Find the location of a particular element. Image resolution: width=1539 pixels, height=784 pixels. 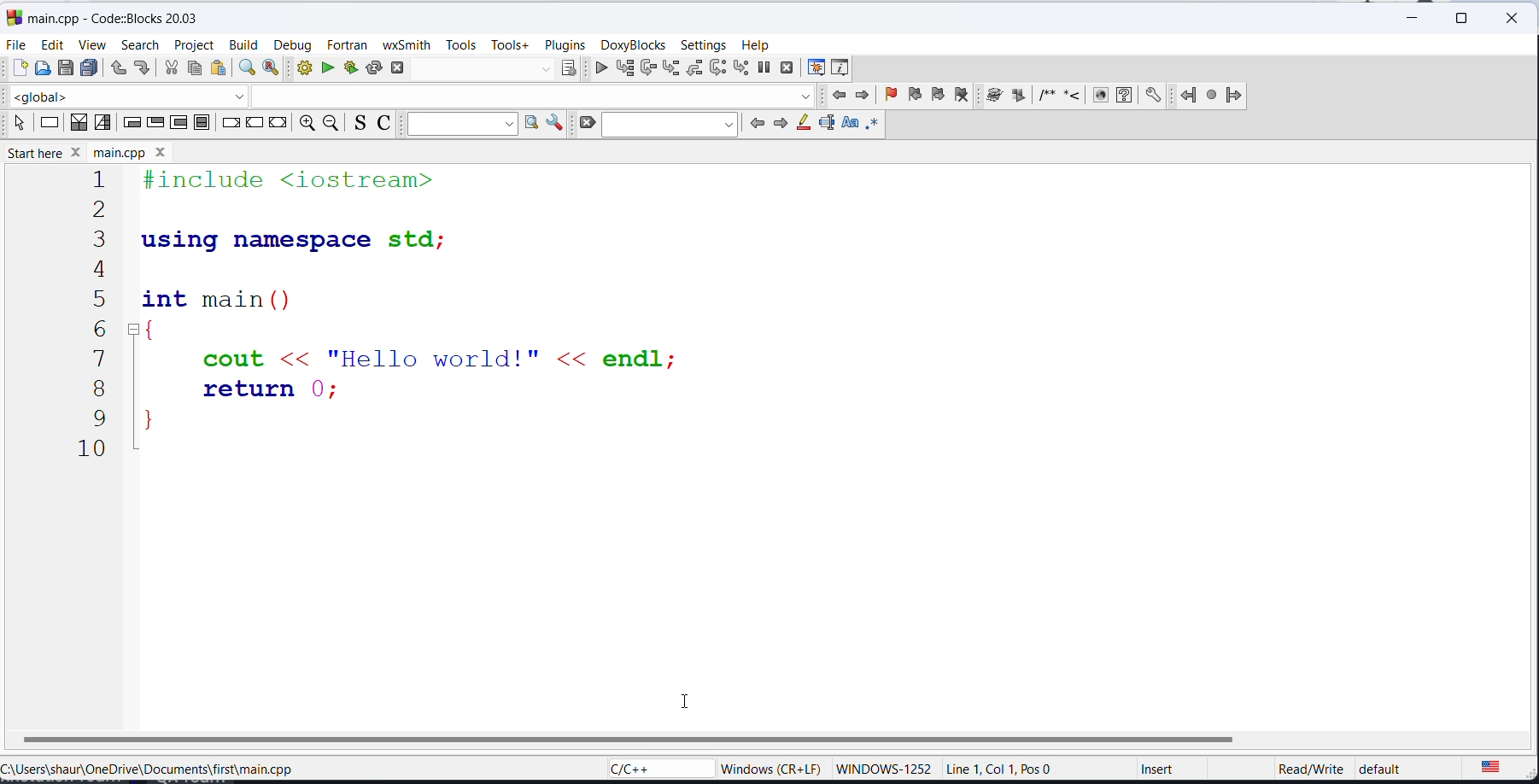

VARIOUS INFO is located at coordinates (840, 69).